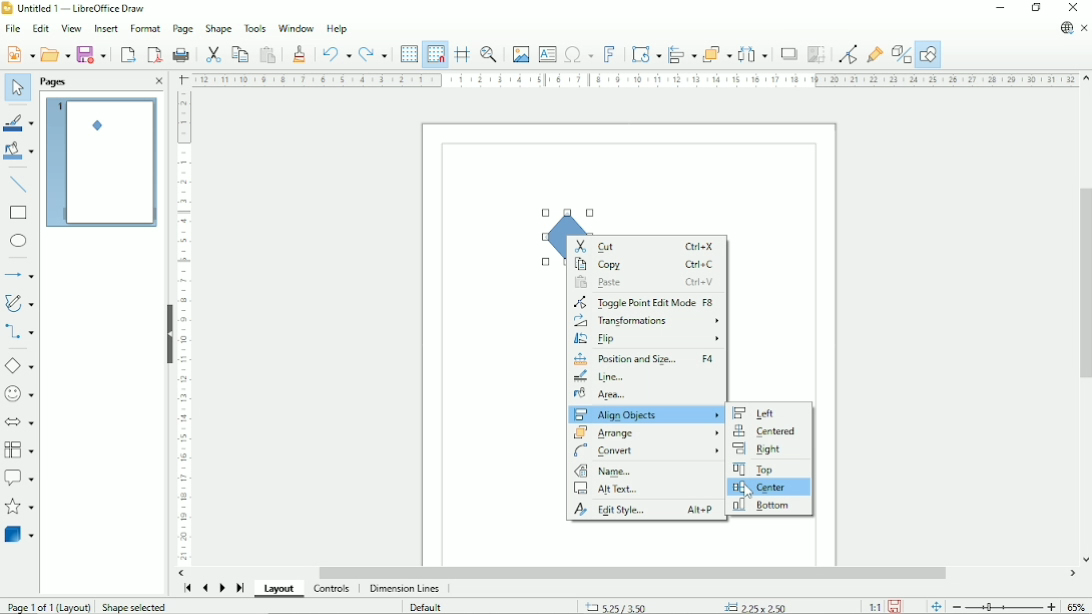 This screenshot has width=1092, height=614. I want to click on Shadow, so click(788, 53).